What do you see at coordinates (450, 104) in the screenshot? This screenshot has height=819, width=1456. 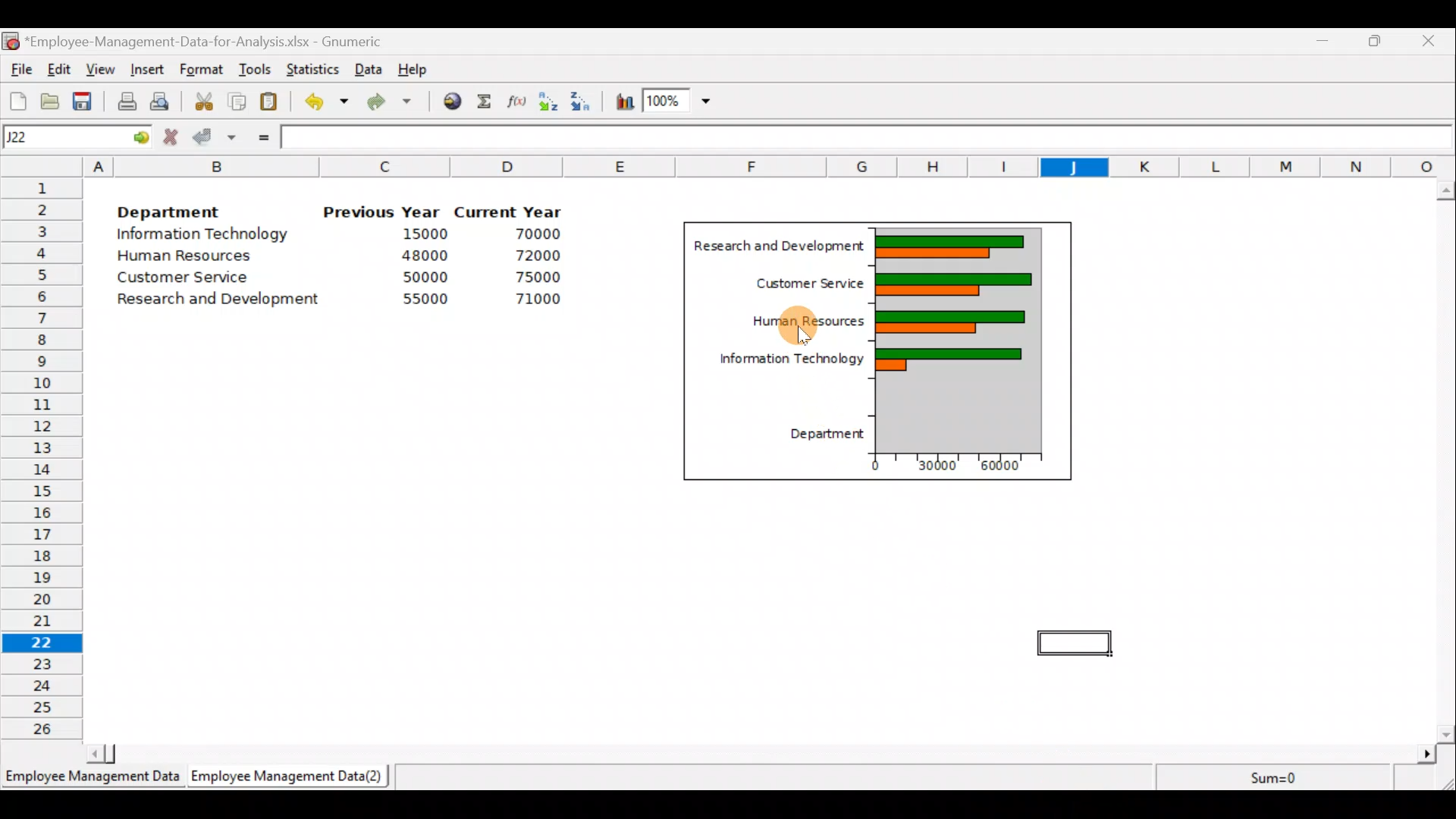 I see `Insert hyperlink` at bounding box center [450, 104].